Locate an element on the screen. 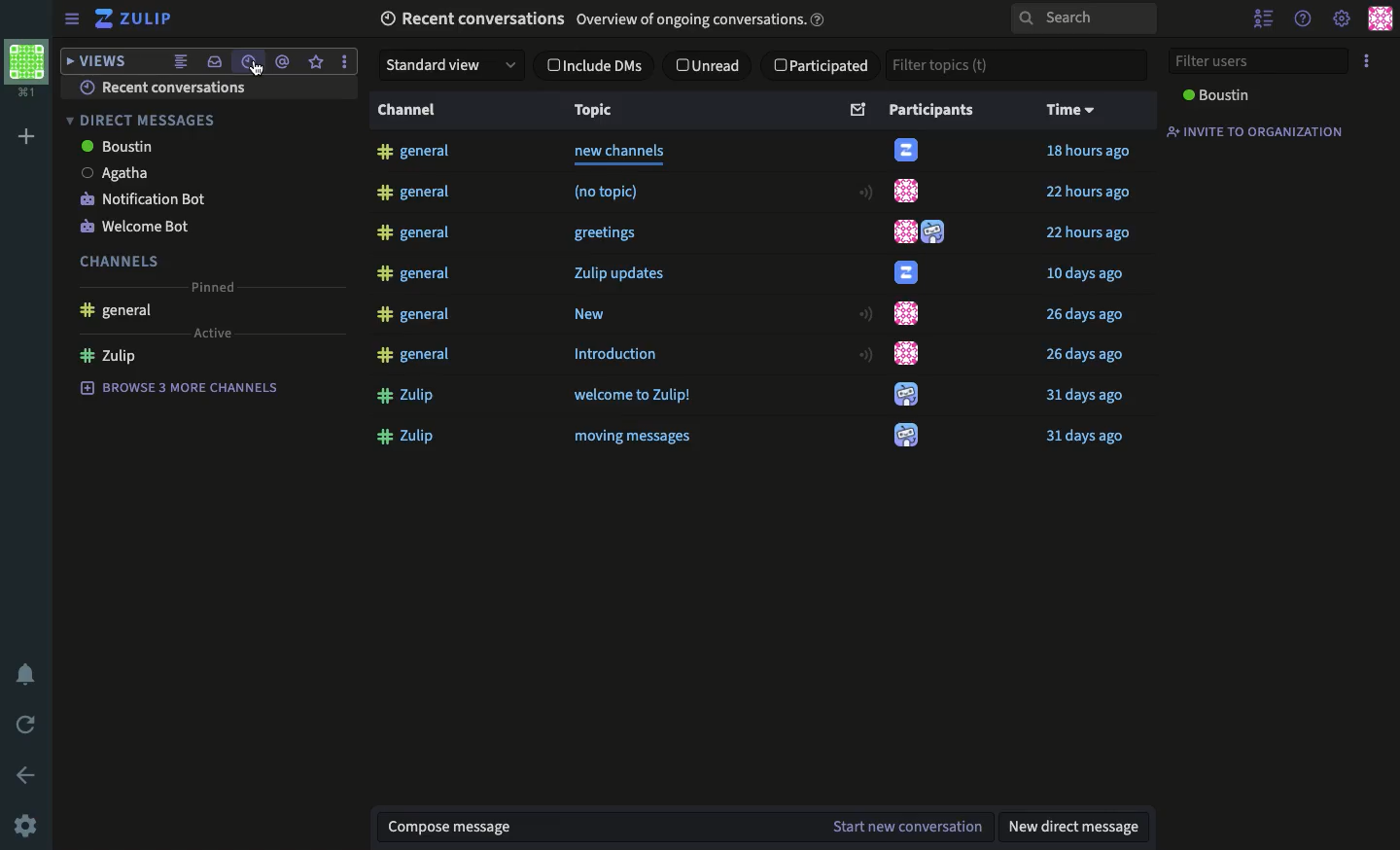 This screenshot has height=850, width=1400. pinned is located at coordinates (214, 287).